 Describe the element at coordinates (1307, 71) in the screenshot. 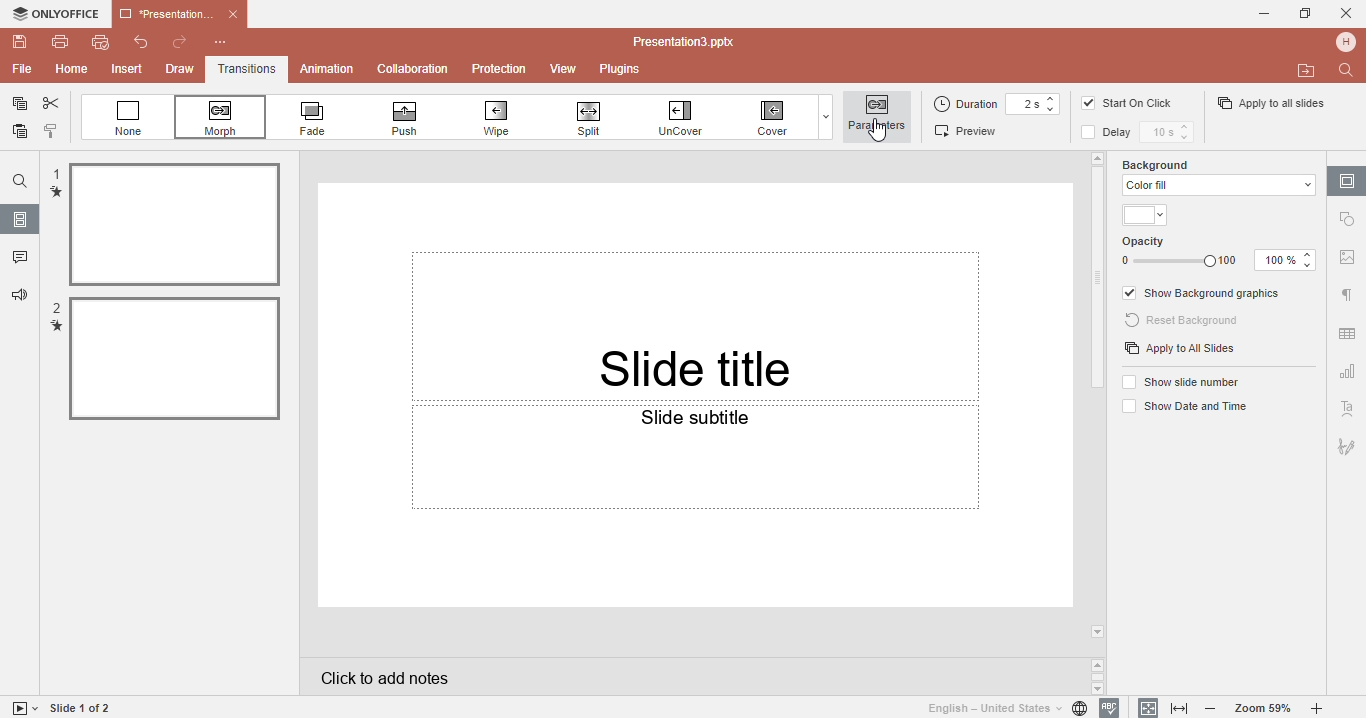

I see `Open file` at that location.